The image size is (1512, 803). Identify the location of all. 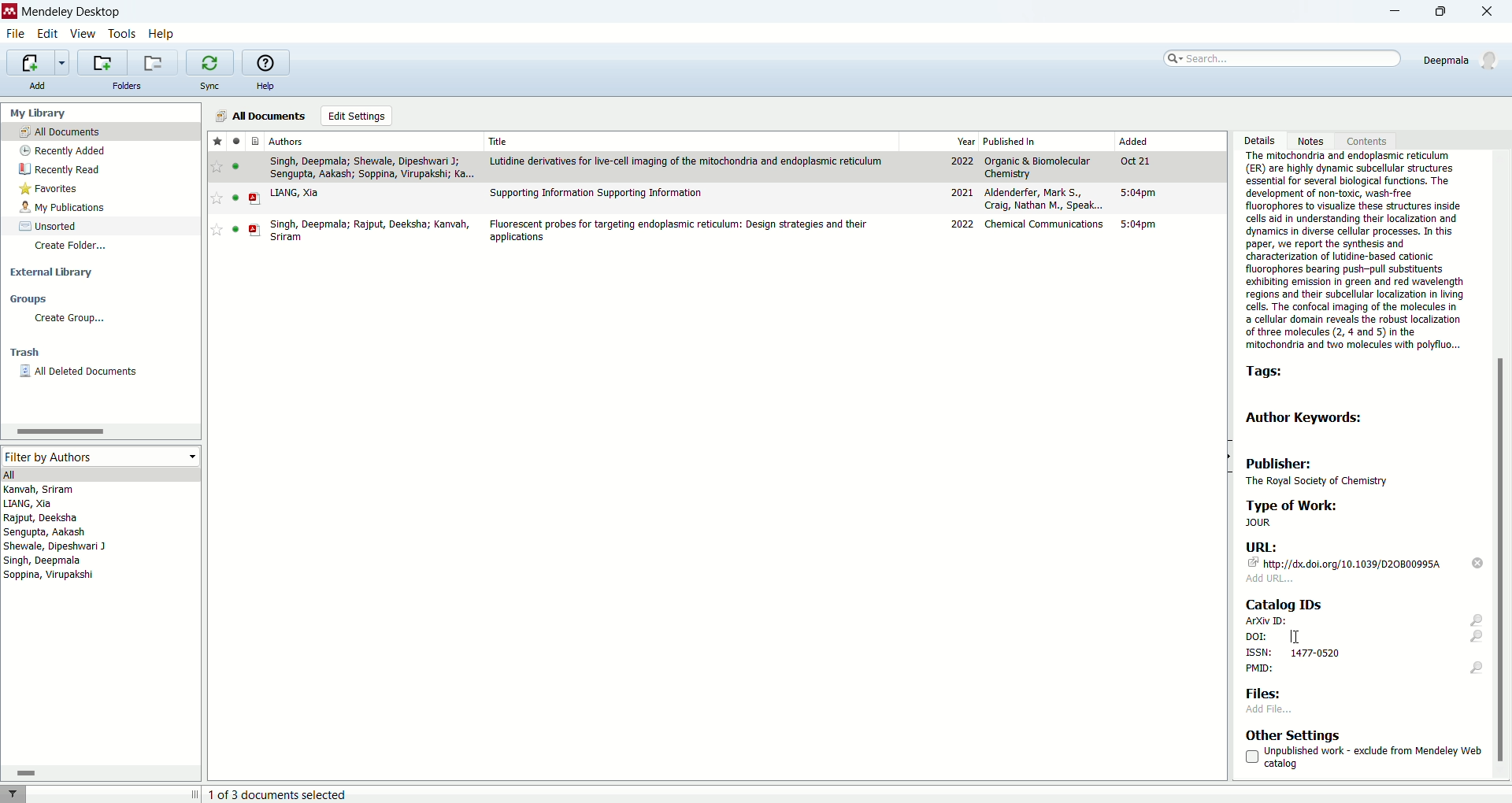
(98, 474).